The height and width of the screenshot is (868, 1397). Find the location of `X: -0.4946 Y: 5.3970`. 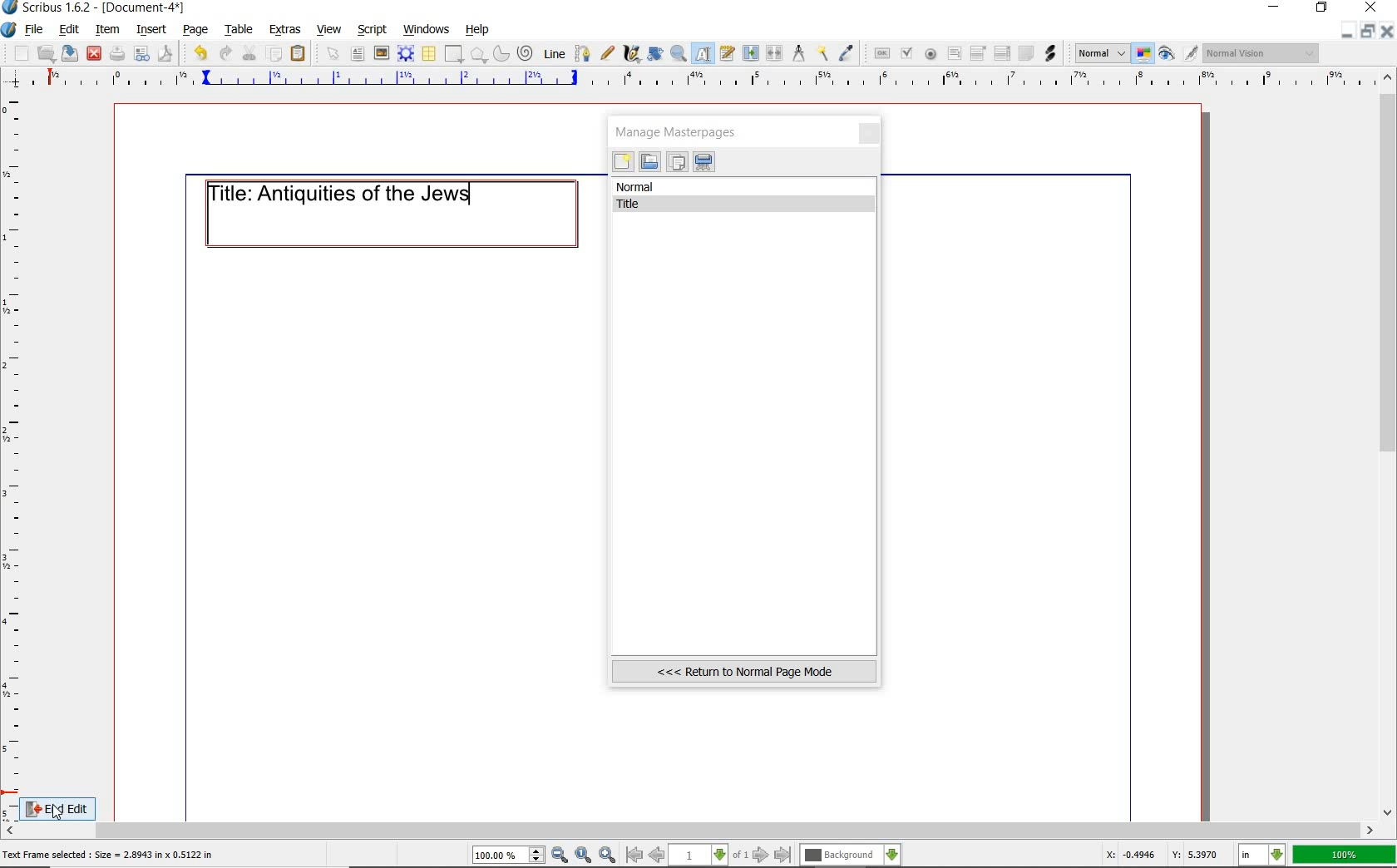

X: -0.4946 Y: 5.3970 is located at coordinates (1162, 856).